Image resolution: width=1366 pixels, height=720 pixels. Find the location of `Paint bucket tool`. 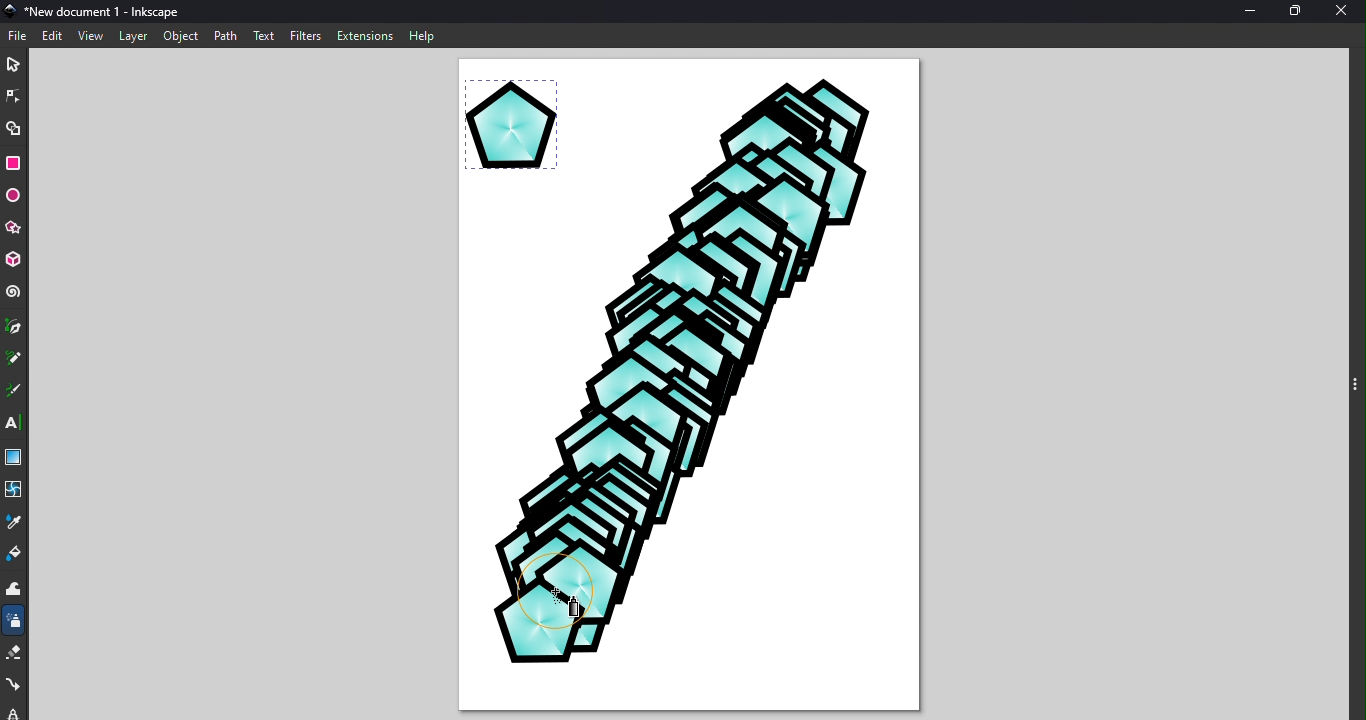

Paint bucket tool is located at coordinates (13, 556).